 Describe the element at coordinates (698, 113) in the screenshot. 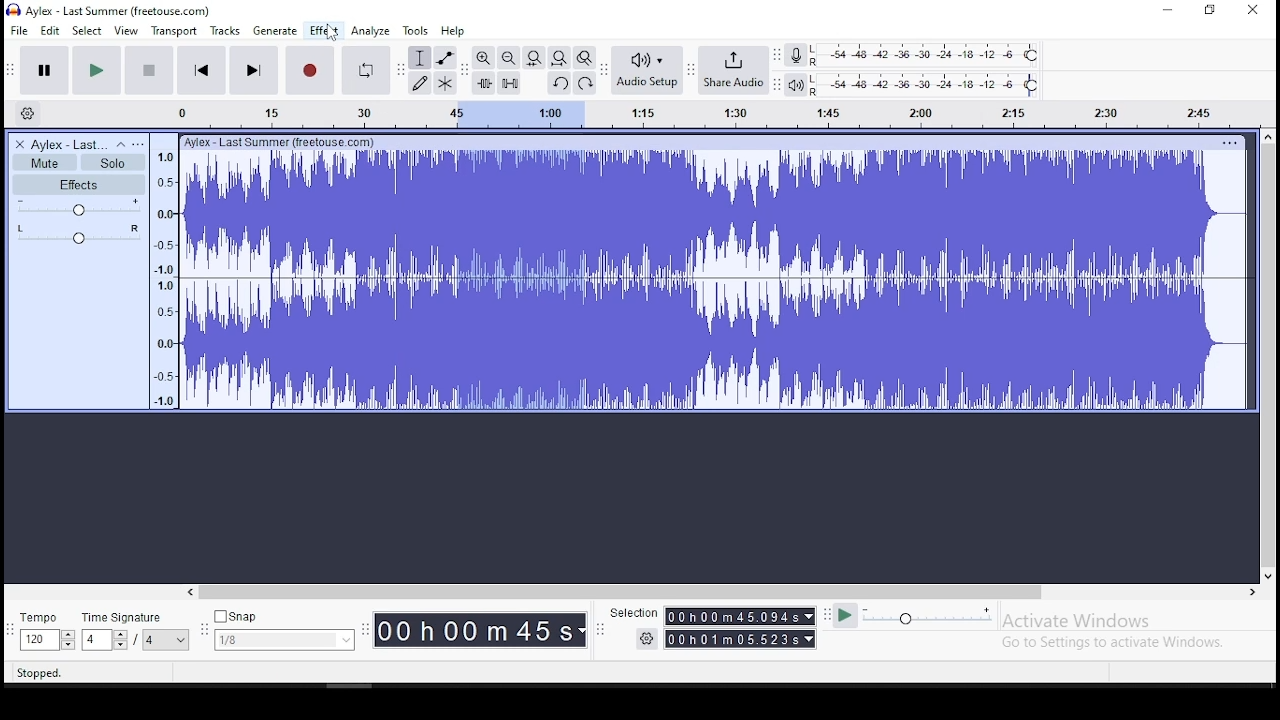

I see `timeline` at that location.